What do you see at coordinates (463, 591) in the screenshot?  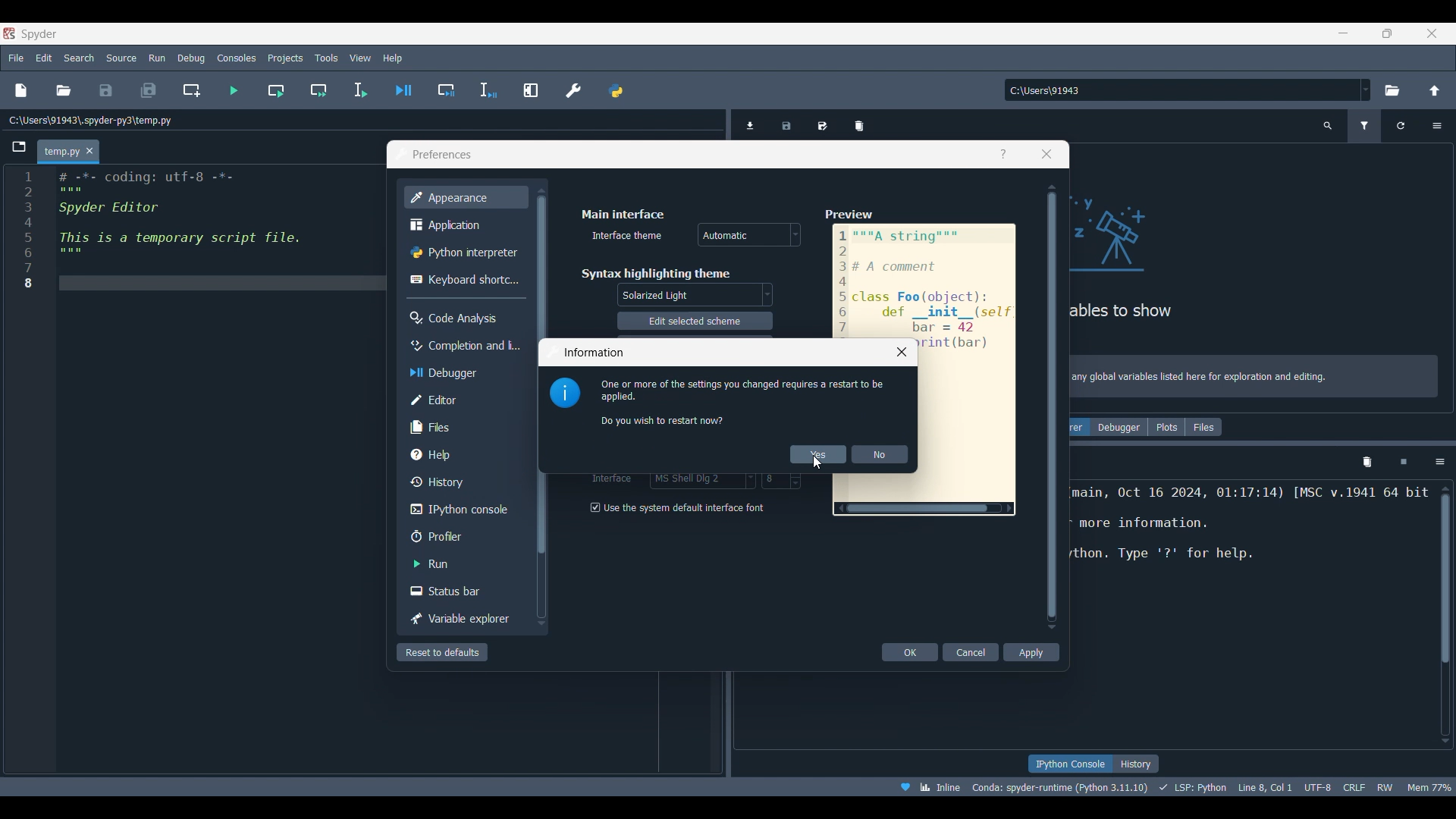 I see `Status bar` at bounding box center [463, 591].